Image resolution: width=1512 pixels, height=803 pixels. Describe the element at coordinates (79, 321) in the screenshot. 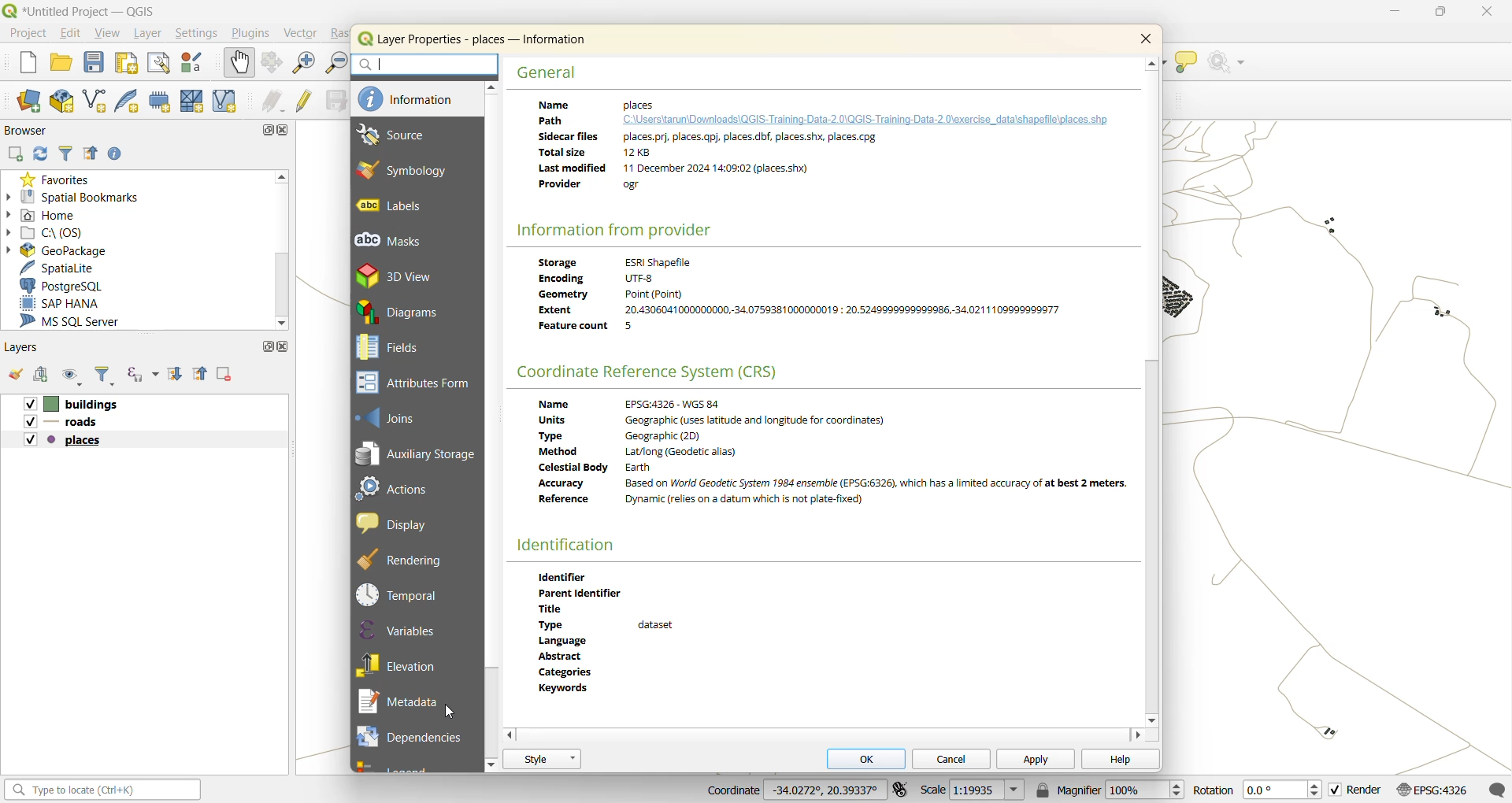

I see `ms sql server` at that location.